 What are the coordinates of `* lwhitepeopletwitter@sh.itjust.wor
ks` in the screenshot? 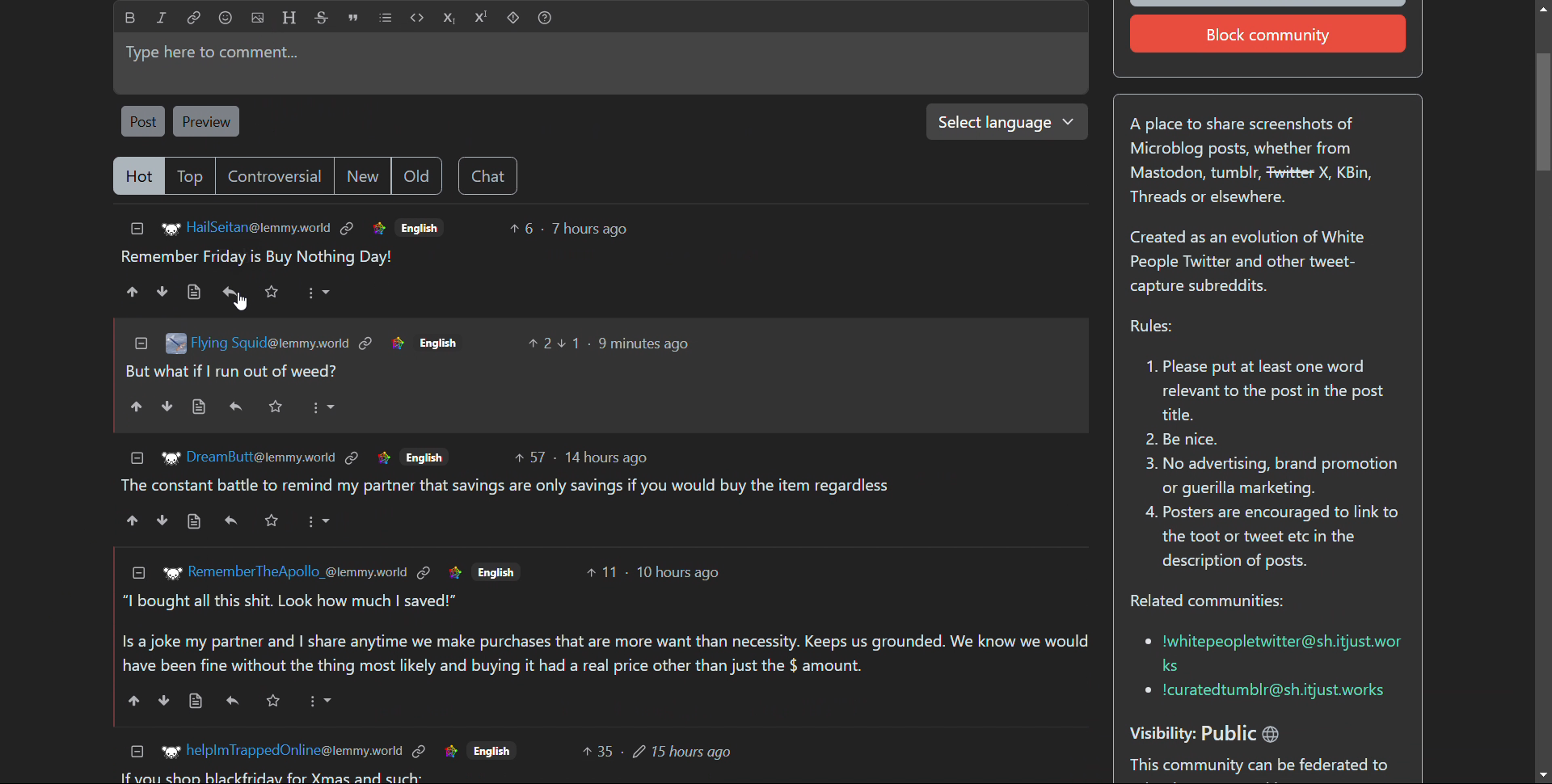 It's located at (1269, 651).